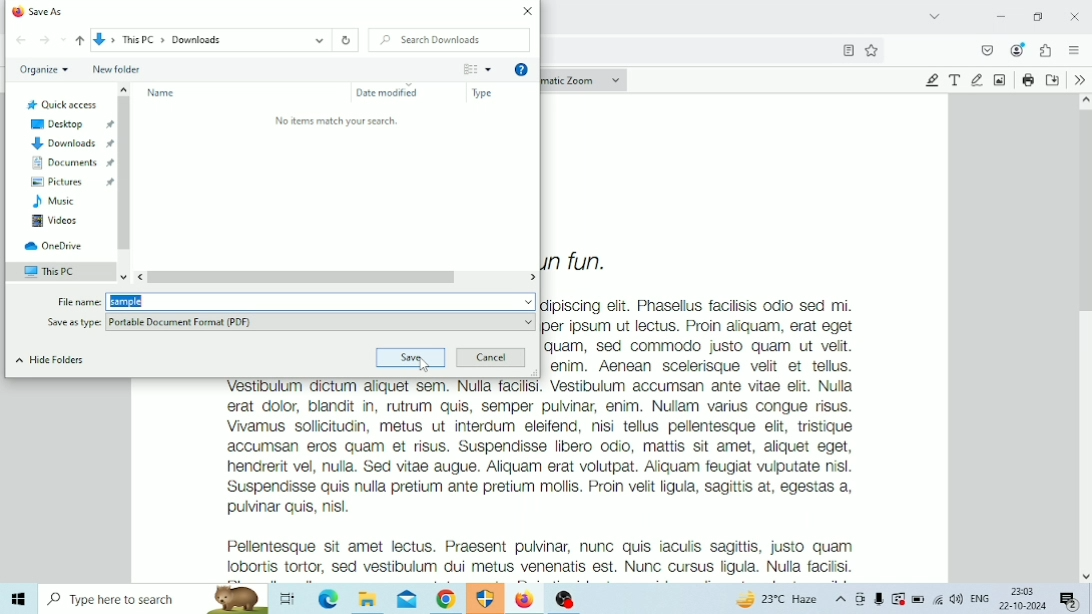 Image resolution: width=1092 pixels, height=614 pixels. What do you see at coordinates (988, 51) in the screenshot?
I see `Save to pocket` at bounding box center [988, 51].